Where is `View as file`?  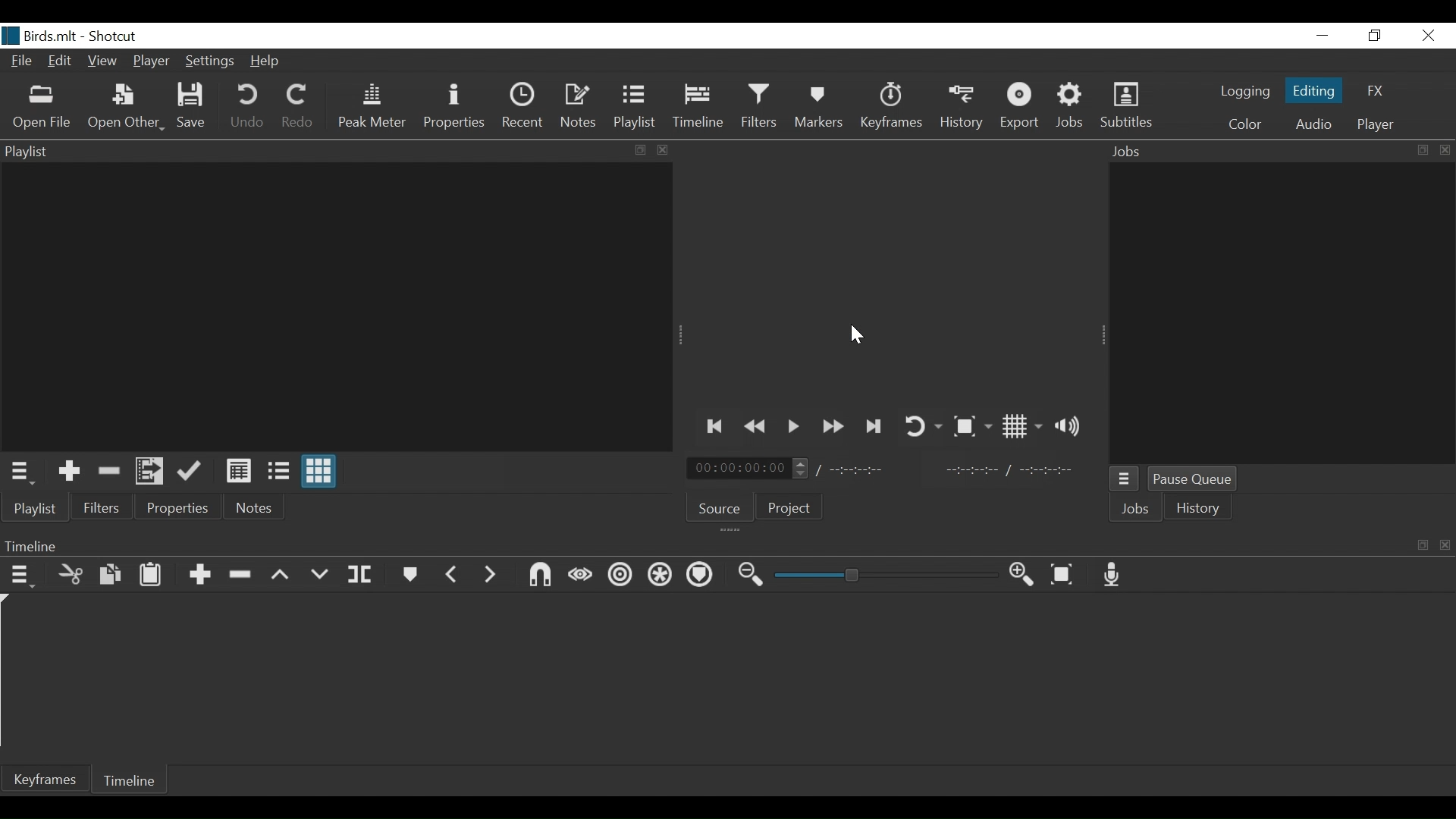 View as file is located at coordinates (278, 471).